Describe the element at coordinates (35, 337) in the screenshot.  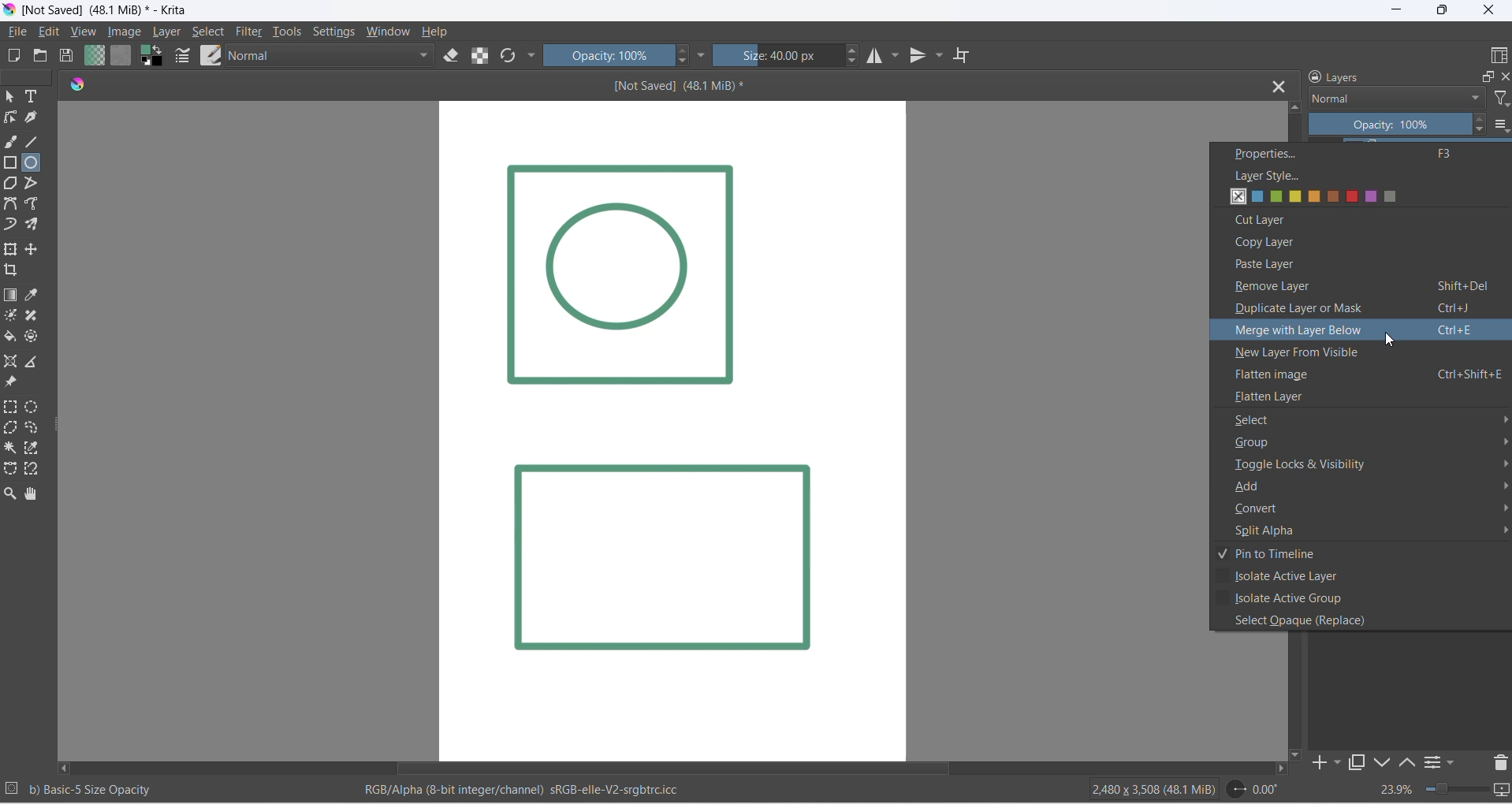
I see `enclose tool` at that location.